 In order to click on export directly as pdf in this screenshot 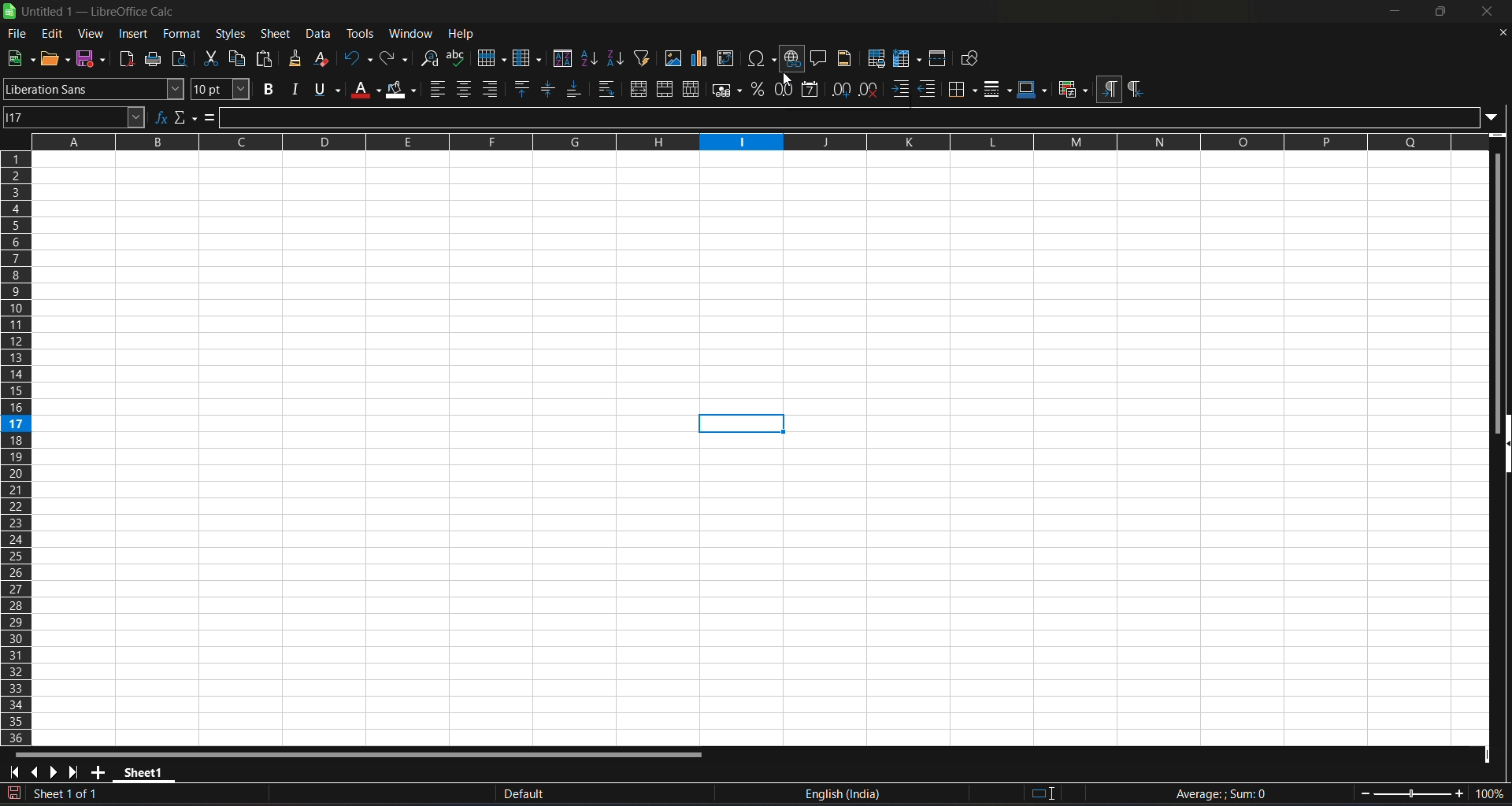, I will do `click(128, 58)`.